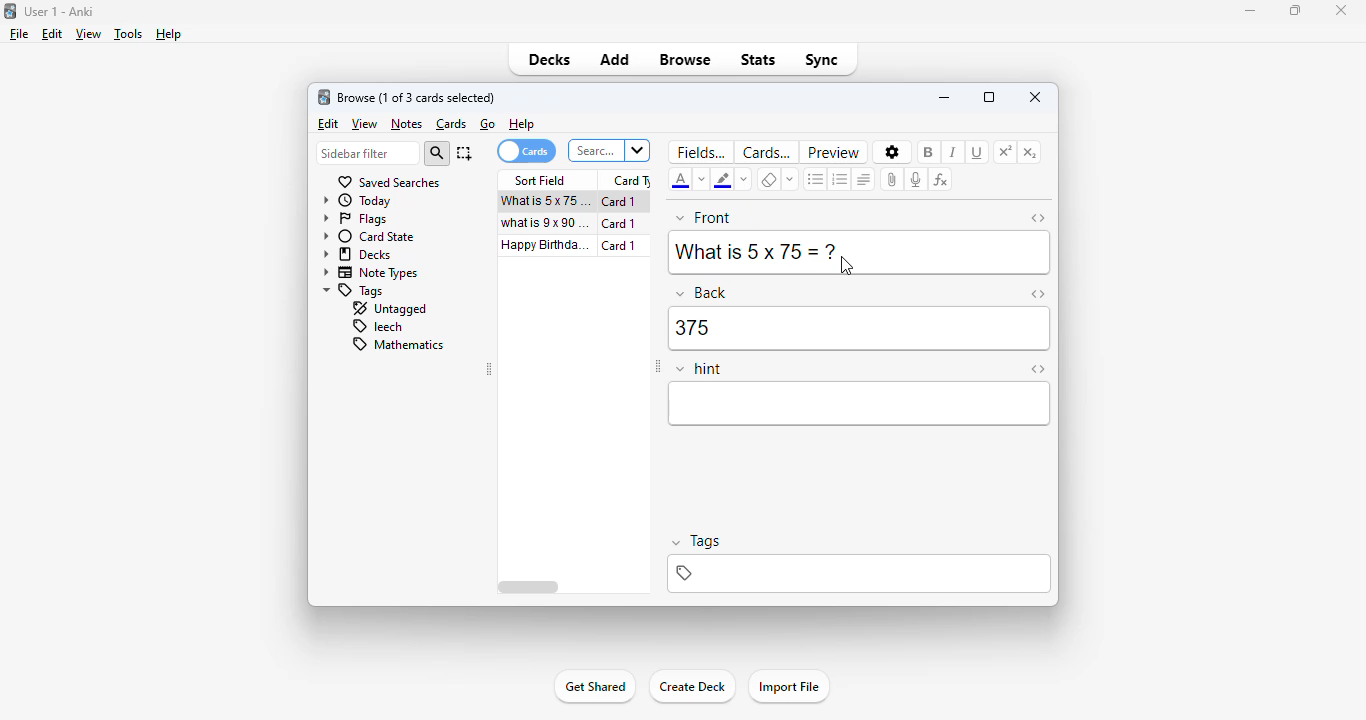 The height and width of the screenshot is (720, 1366). I want to click on toggle HTML editor, so click(1038, 218).